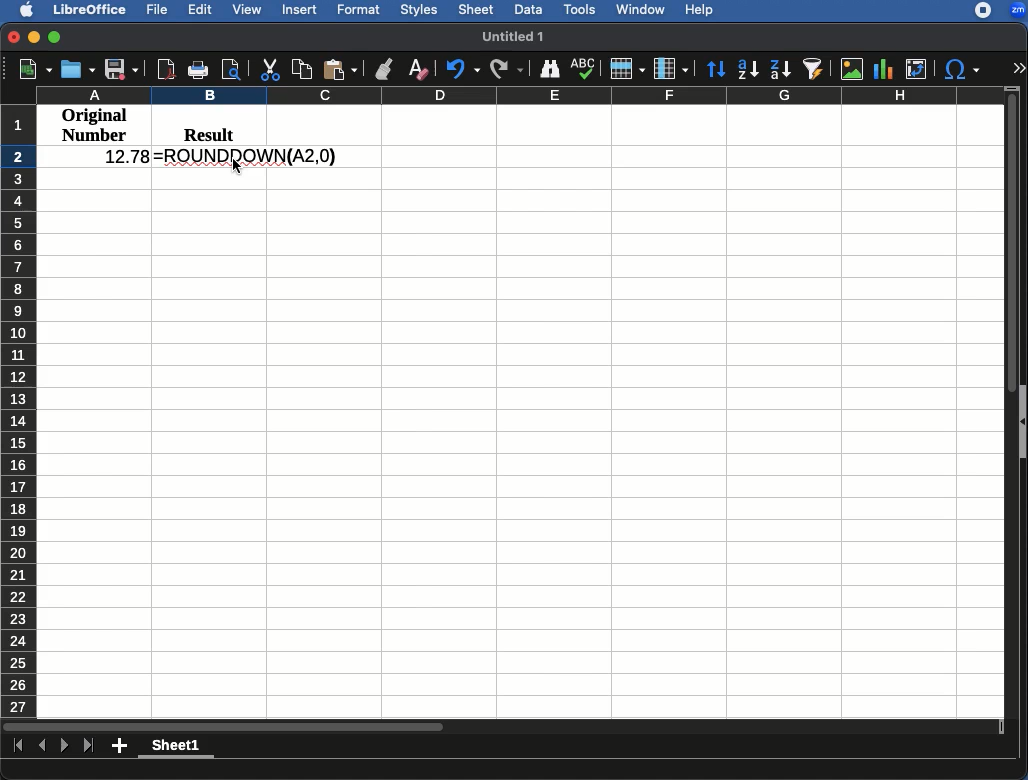  I want to click on Clone formatting, so click(382, 69).